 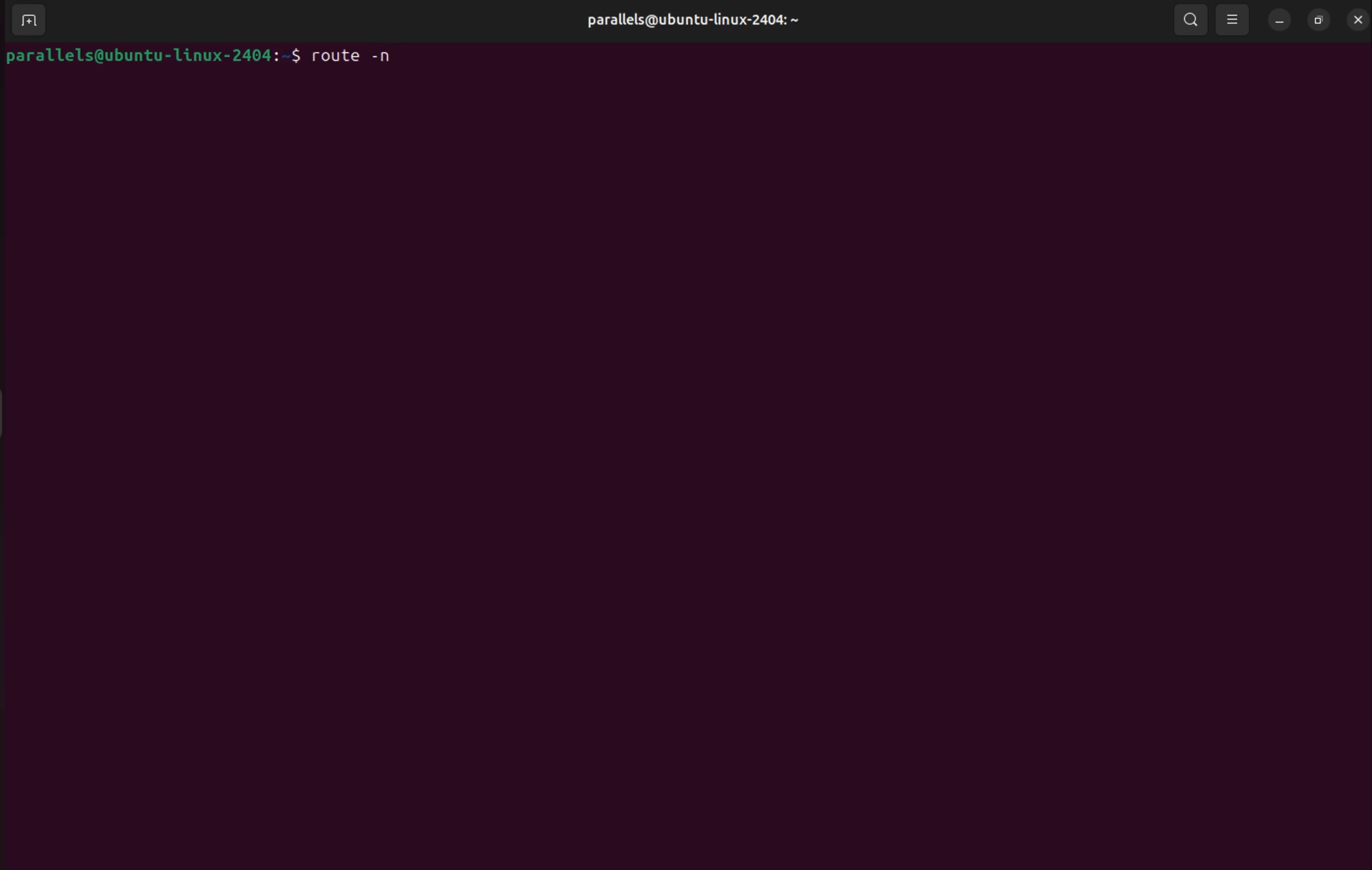 What do you see at coordinates (361, 56) in the screenshot?
I see `route -n` at bounding box center [361, 56].